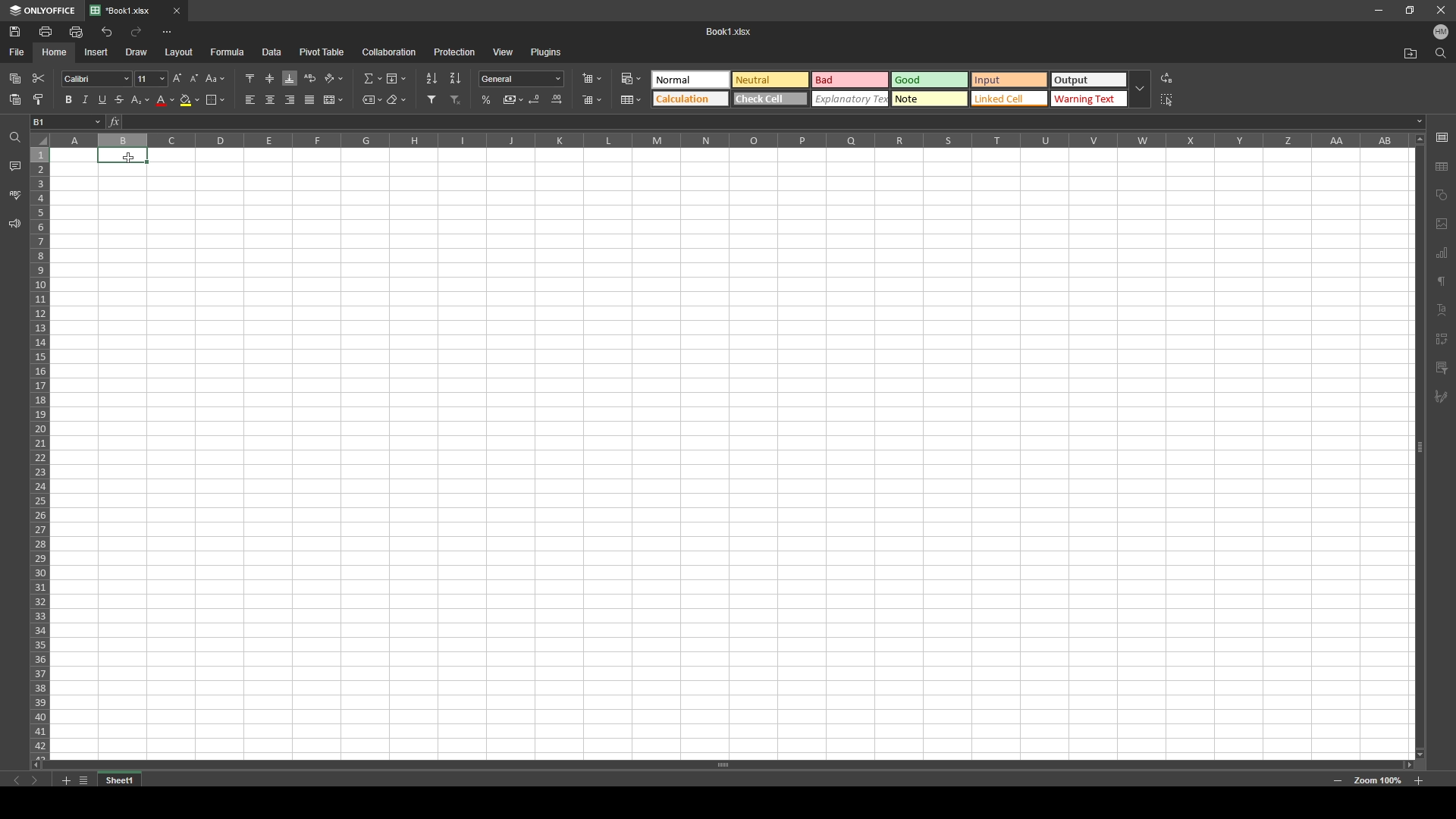 The image size is (1456, 819). I want to click on file name, so click(730, 30).